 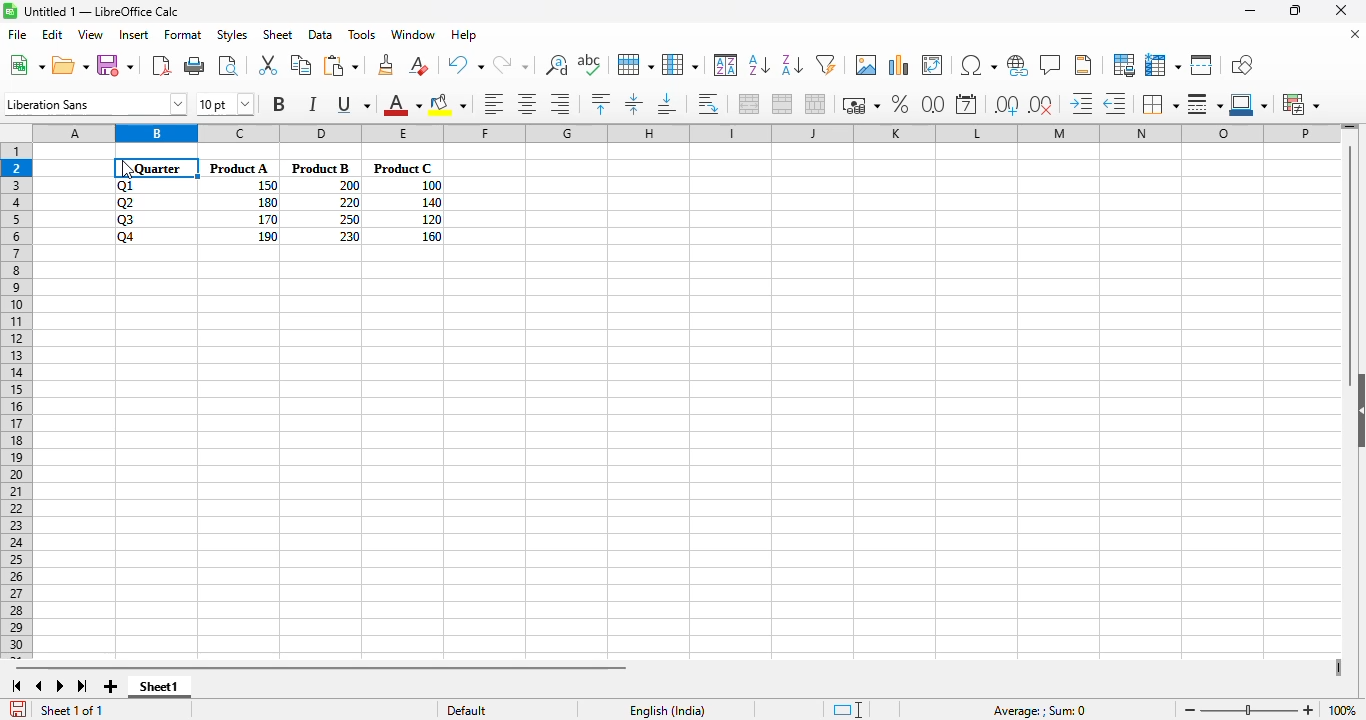 What do you see at coordinates (224, 104) in the screenshot?
I see `font size` at bounding box center [224, 104].